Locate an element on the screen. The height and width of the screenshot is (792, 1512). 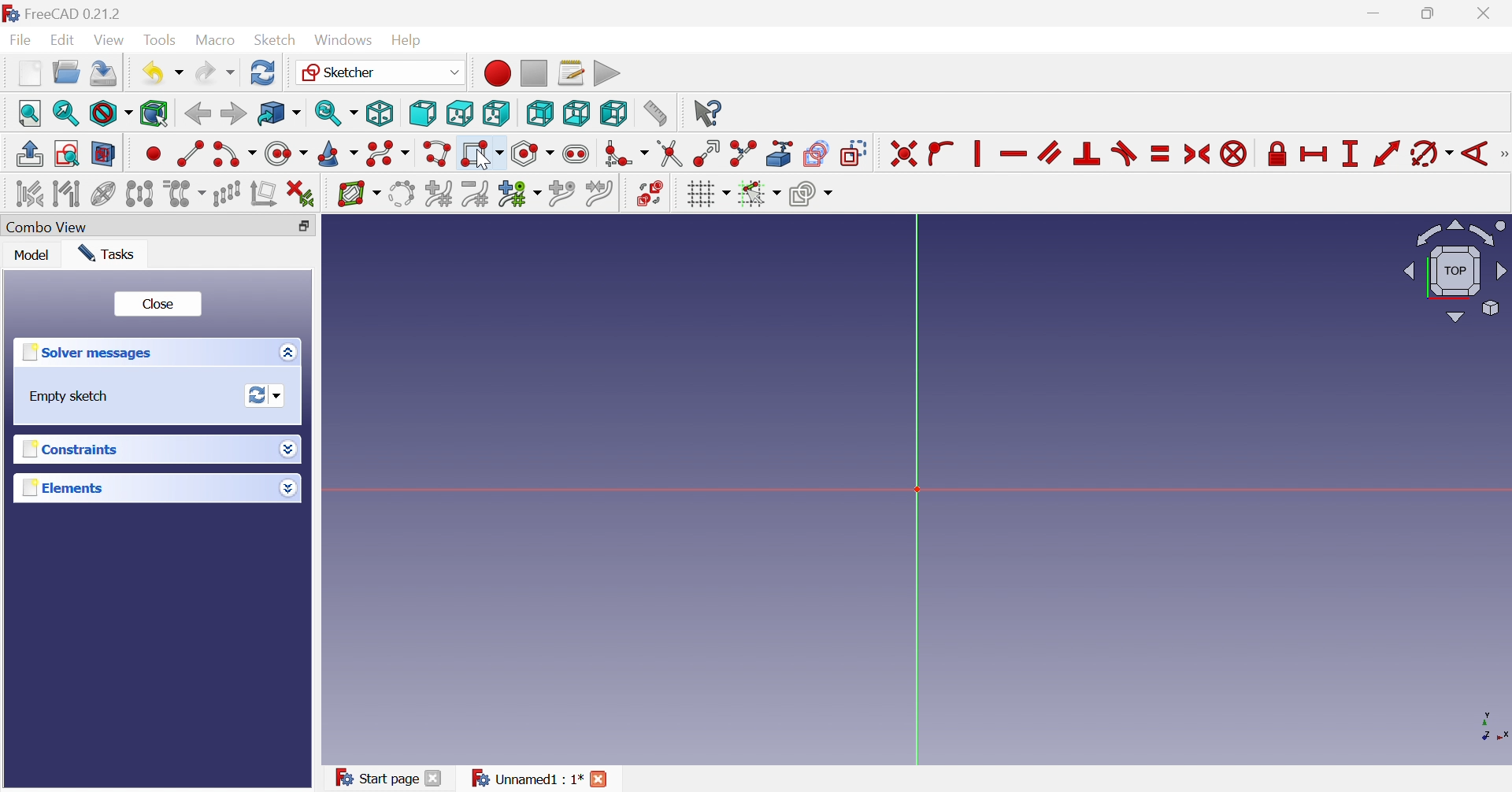
Undo is located at coordinates (161, 73).